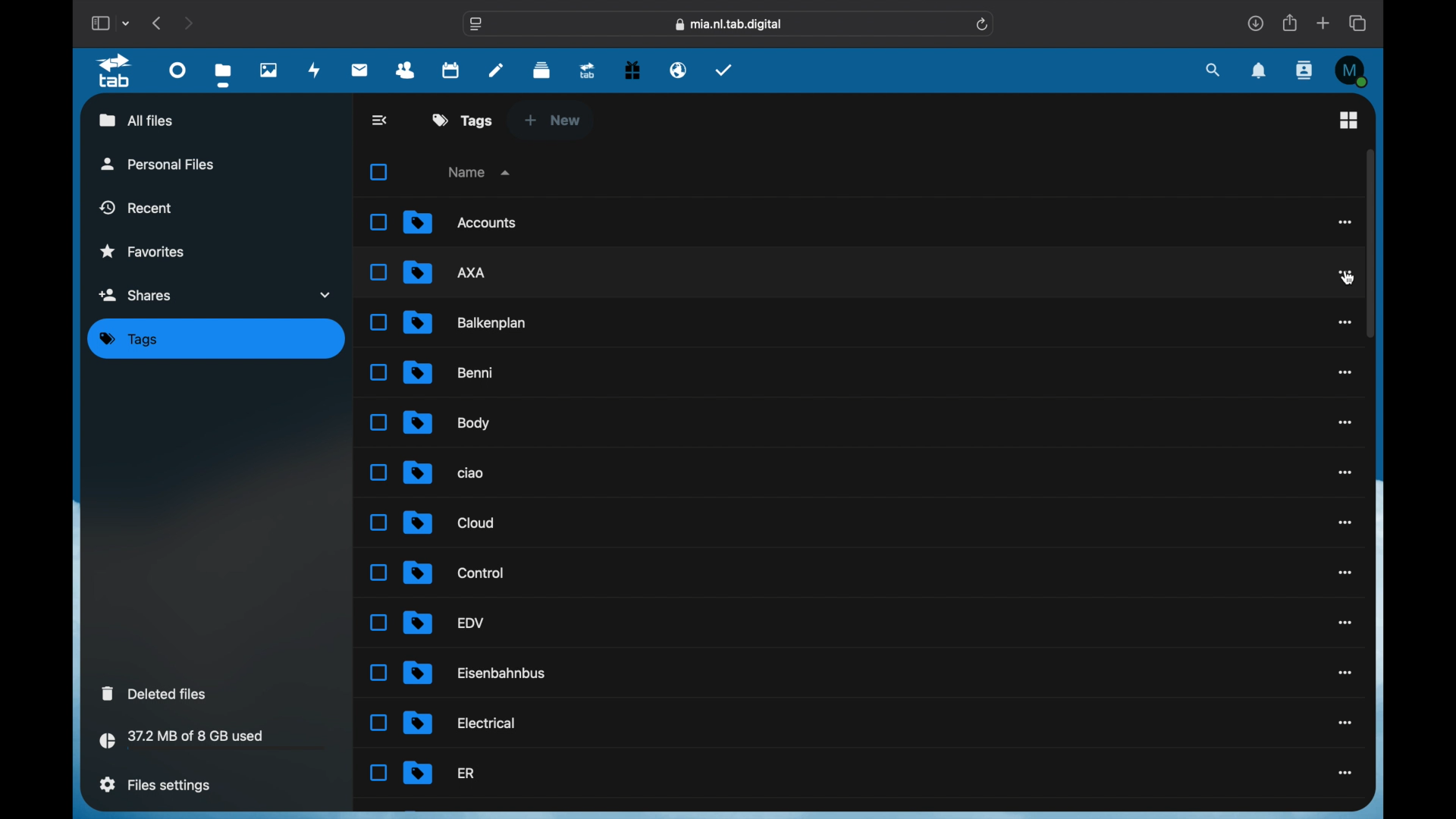 This screenshot has width=1456, height=819. Describe the element at coordinates (190, 23) in the screenshot. I see `next` at that location.